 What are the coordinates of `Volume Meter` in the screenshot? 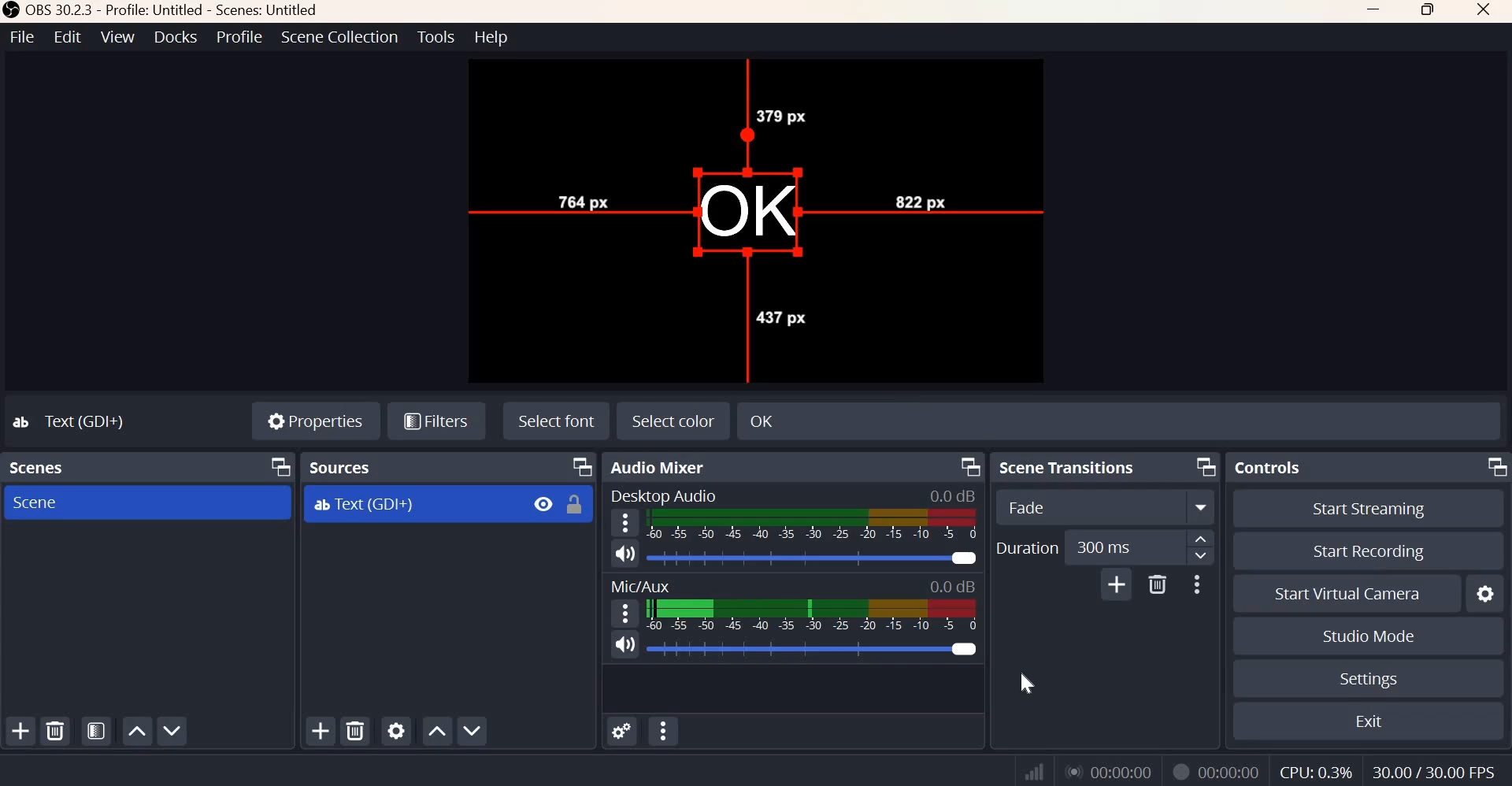 It's located at (813, 525).